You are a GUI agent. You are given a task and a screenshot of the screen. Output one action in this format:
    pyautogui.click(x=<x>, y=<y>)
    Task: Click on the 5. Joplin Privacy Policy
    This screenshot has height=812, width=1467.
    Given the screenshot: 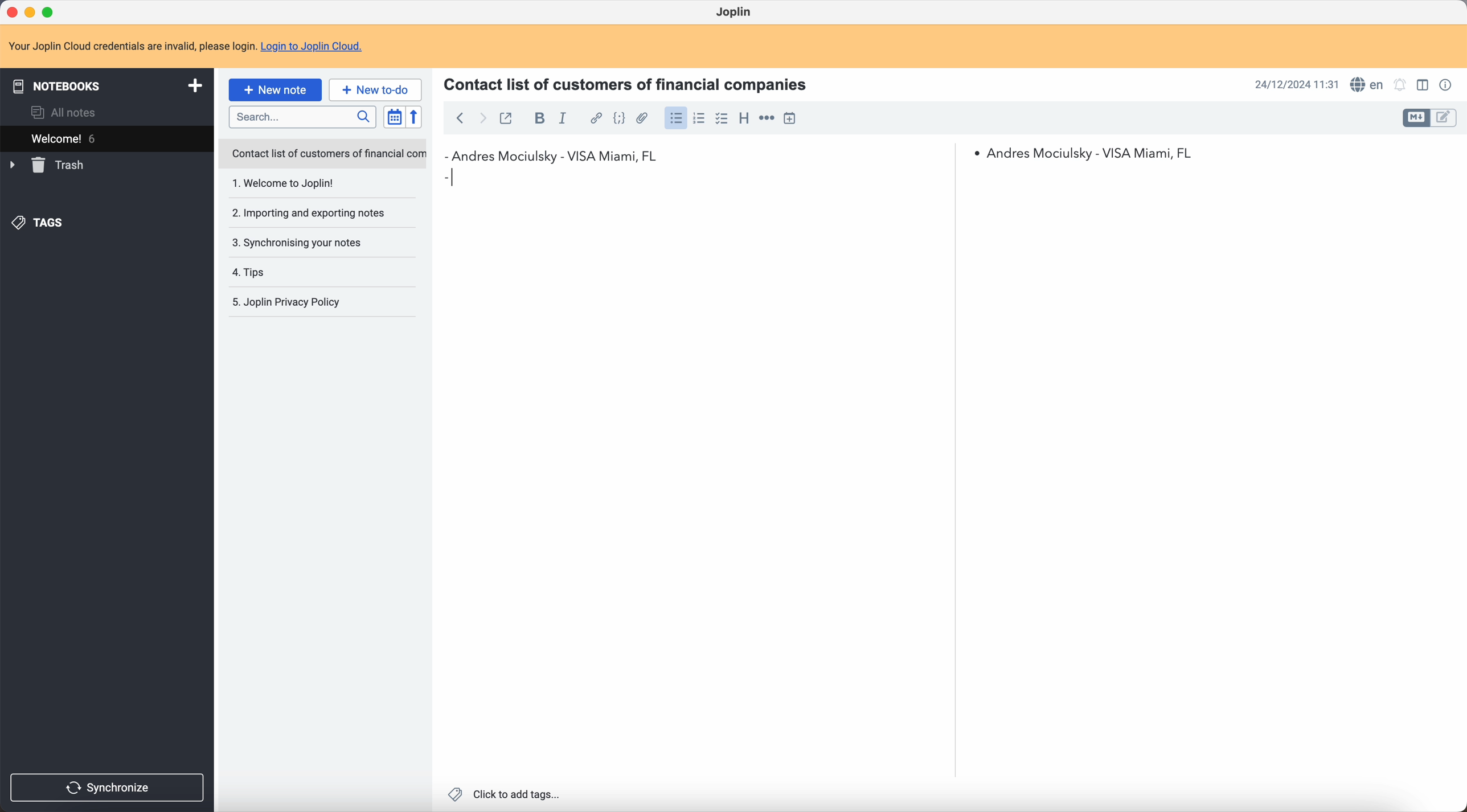 What is the action you would take?
    pyautogui.click(x=294, y=303)
    